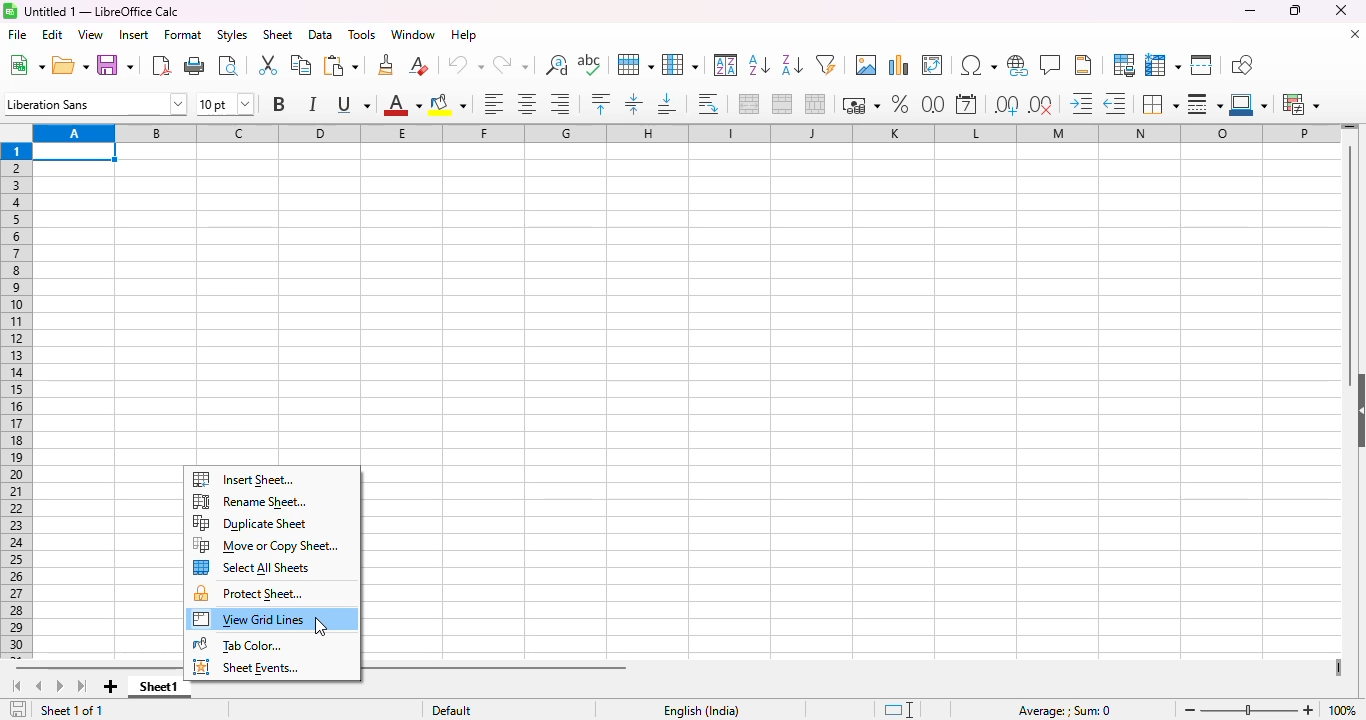  I want to click on align center, so click(527, 104).